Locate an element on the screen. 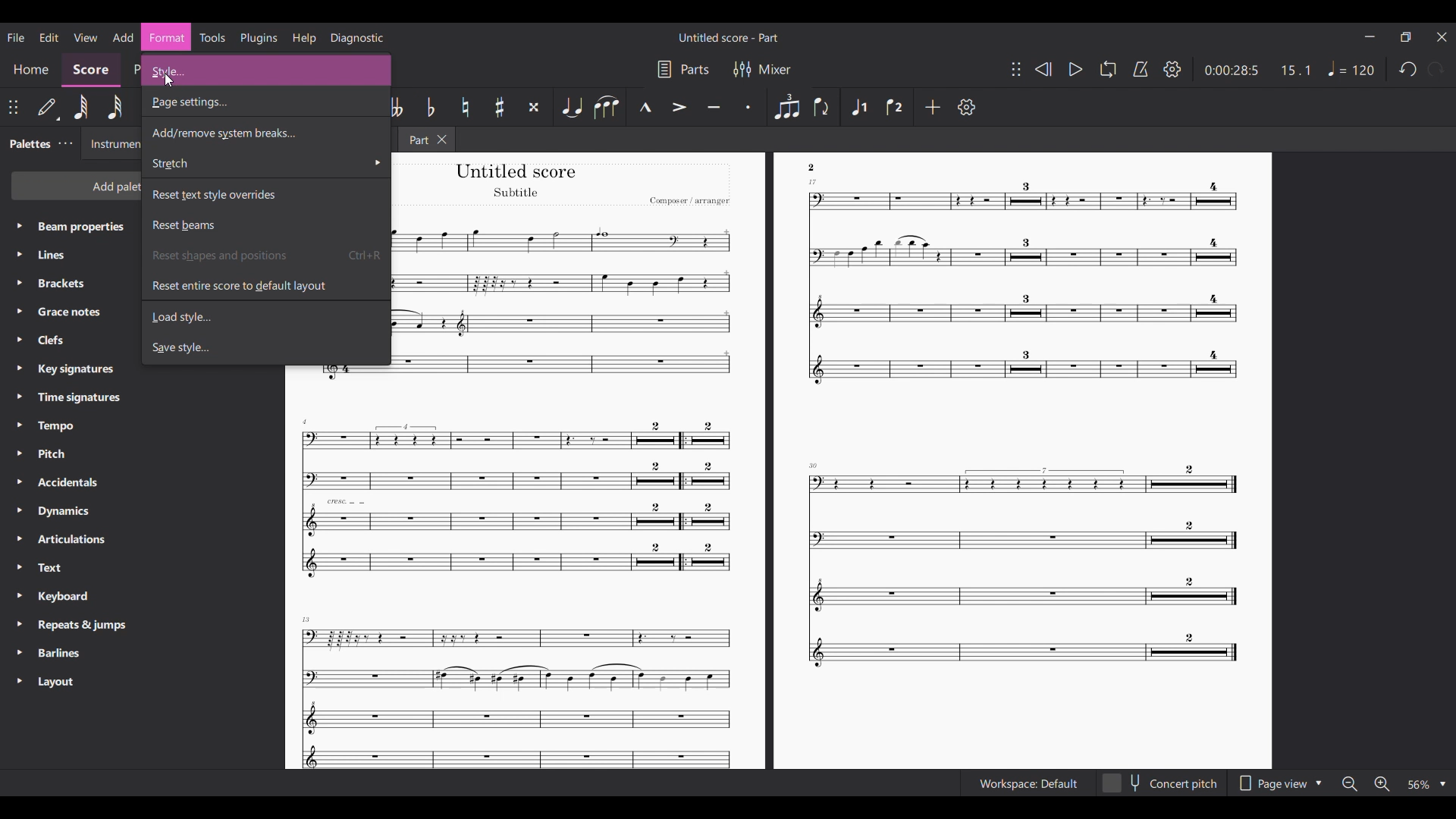 This screenshot has height=819, width=1456. Beam propertiex is located at coordinates (78, 226).